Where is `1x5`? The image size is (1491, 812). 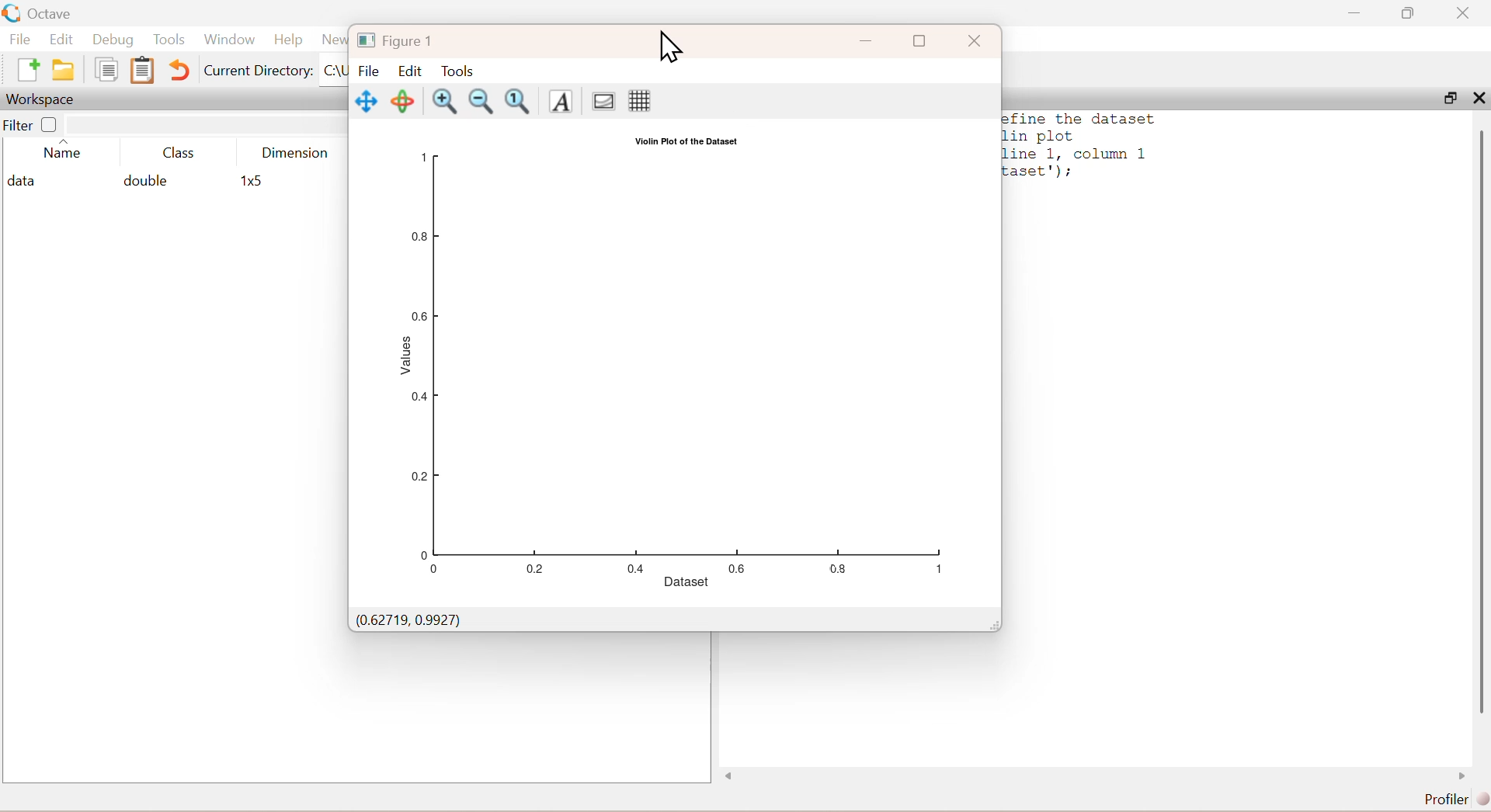
1x5 is located at coordinates (255, 182).